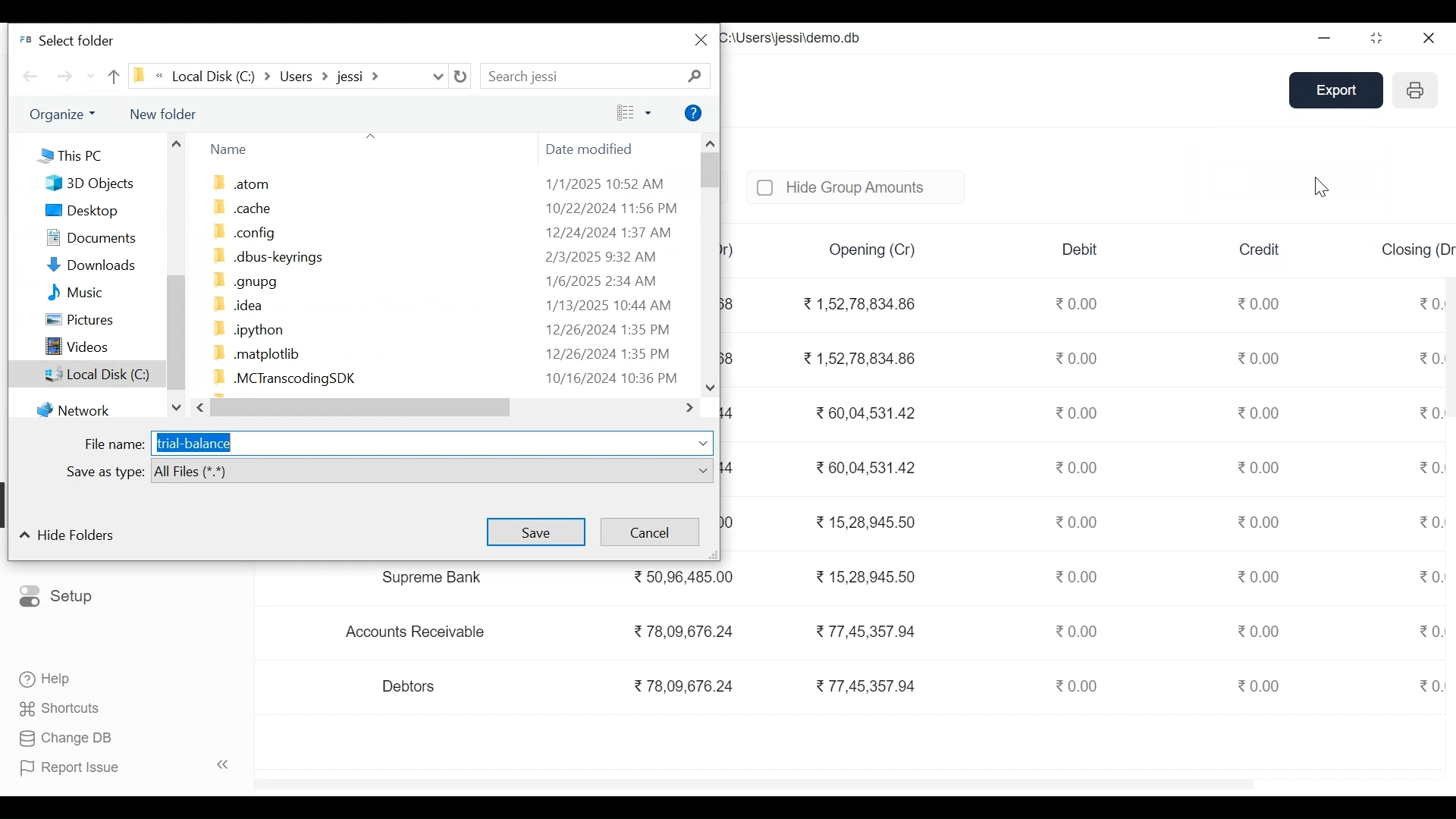  Describe the element at coordinates (704, 443) in the screenshot. I see `Expand` at that location.